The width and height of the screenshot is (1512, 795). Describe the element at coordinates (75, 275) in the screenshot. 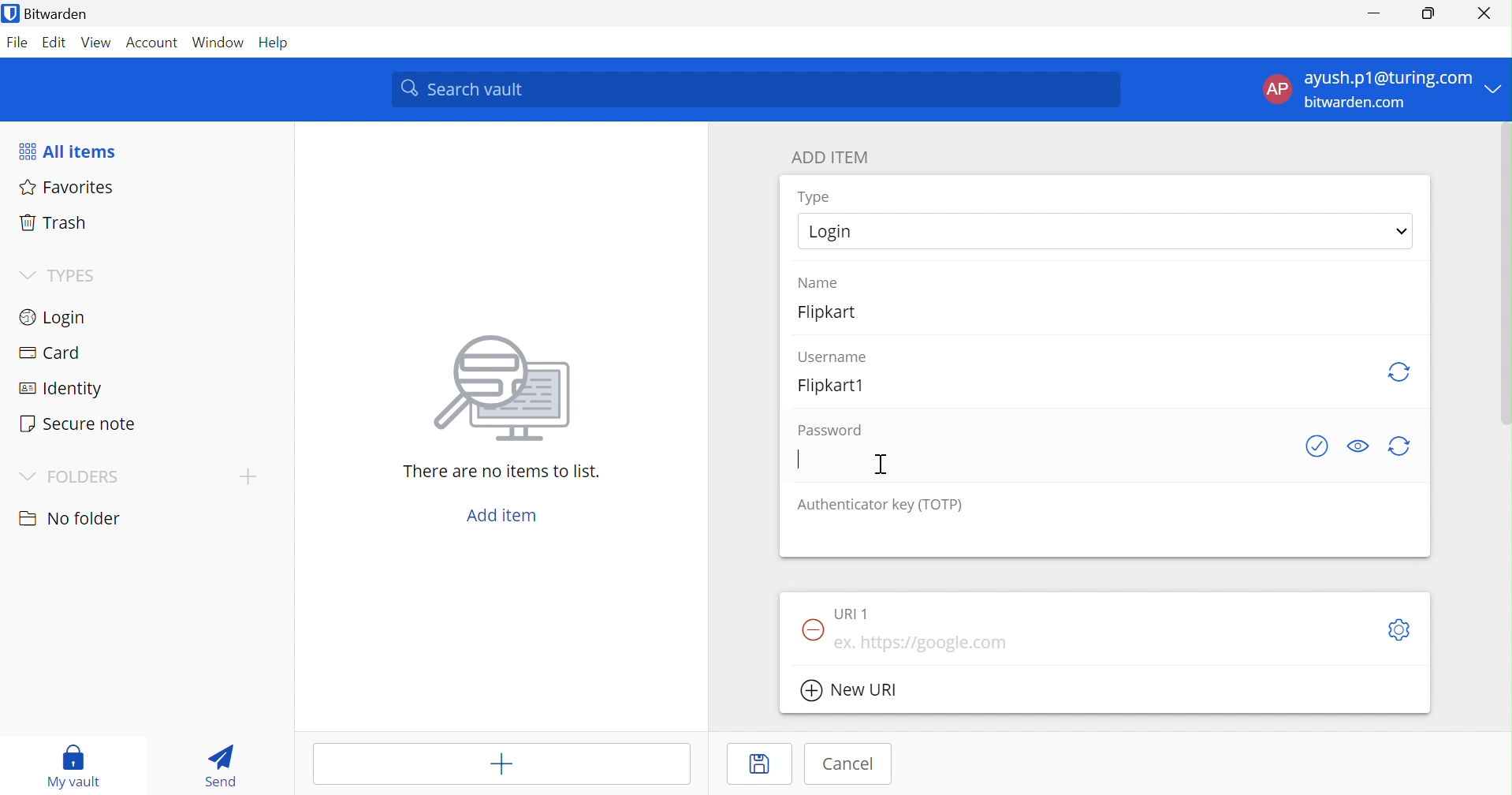

I see `TYPES` at that location.